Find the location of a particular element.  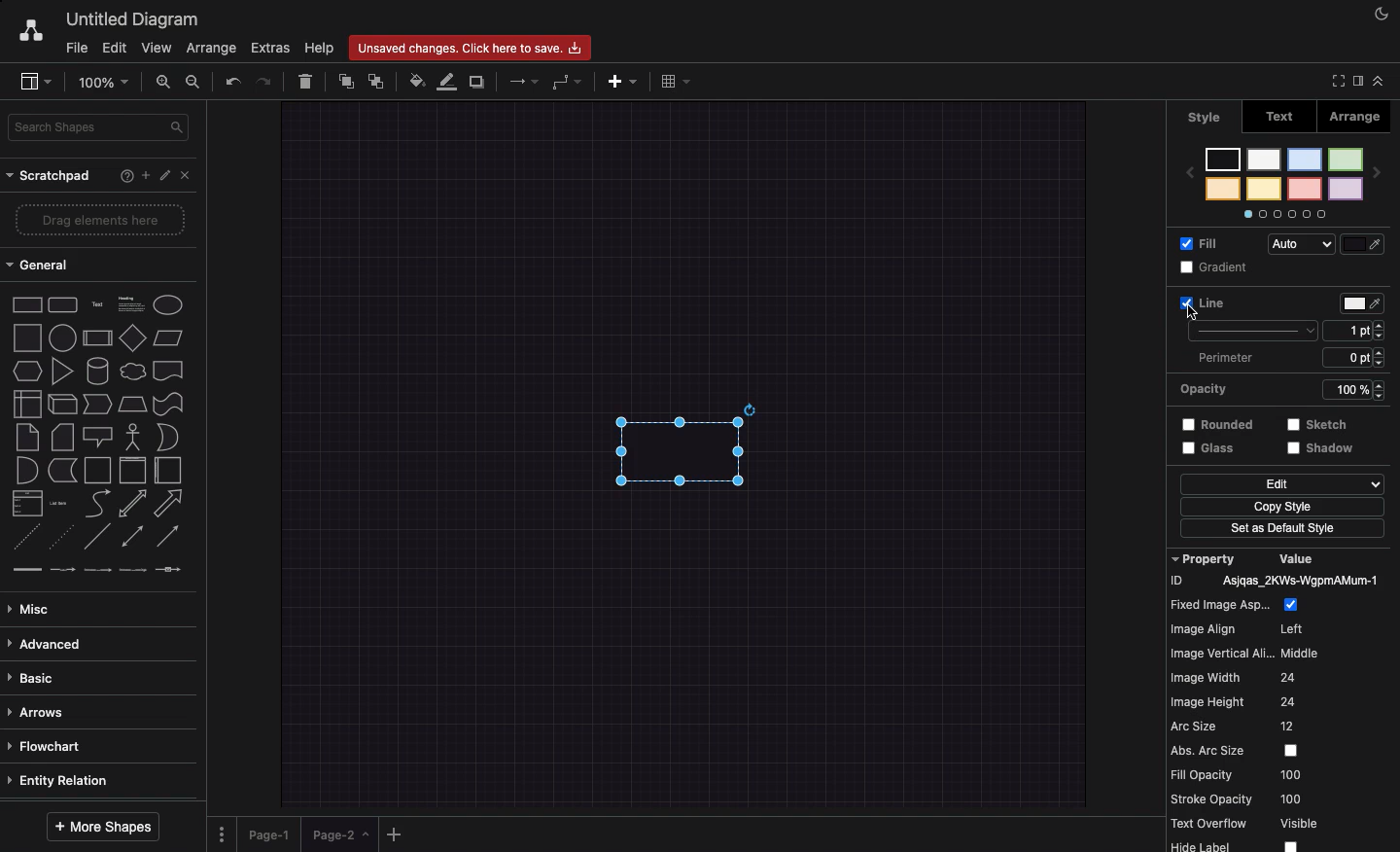

Basic is located at coordinates (36, 673).